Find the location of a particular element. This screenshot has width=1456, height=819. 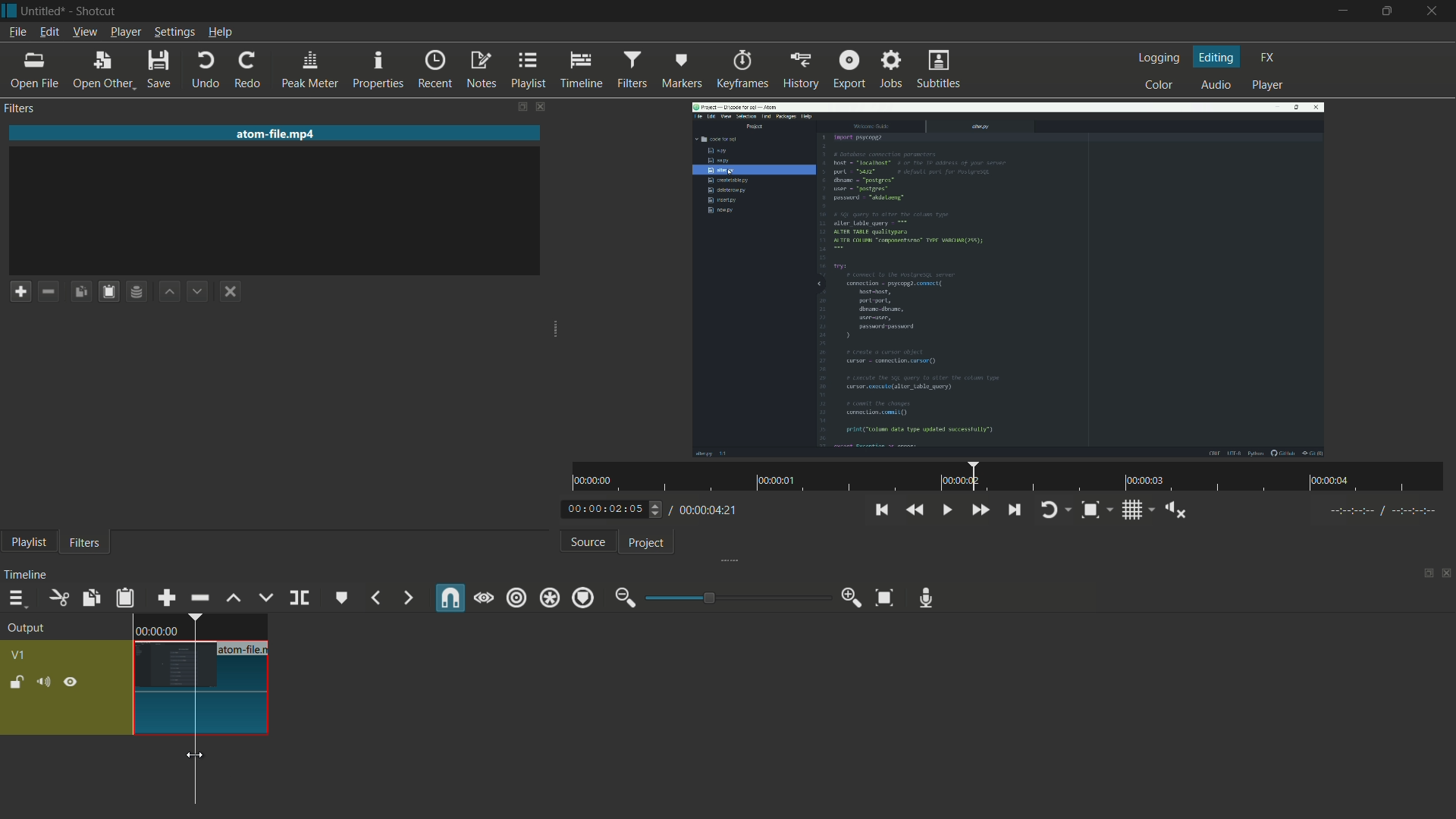

save filter set is located at coordinates (138, 290).